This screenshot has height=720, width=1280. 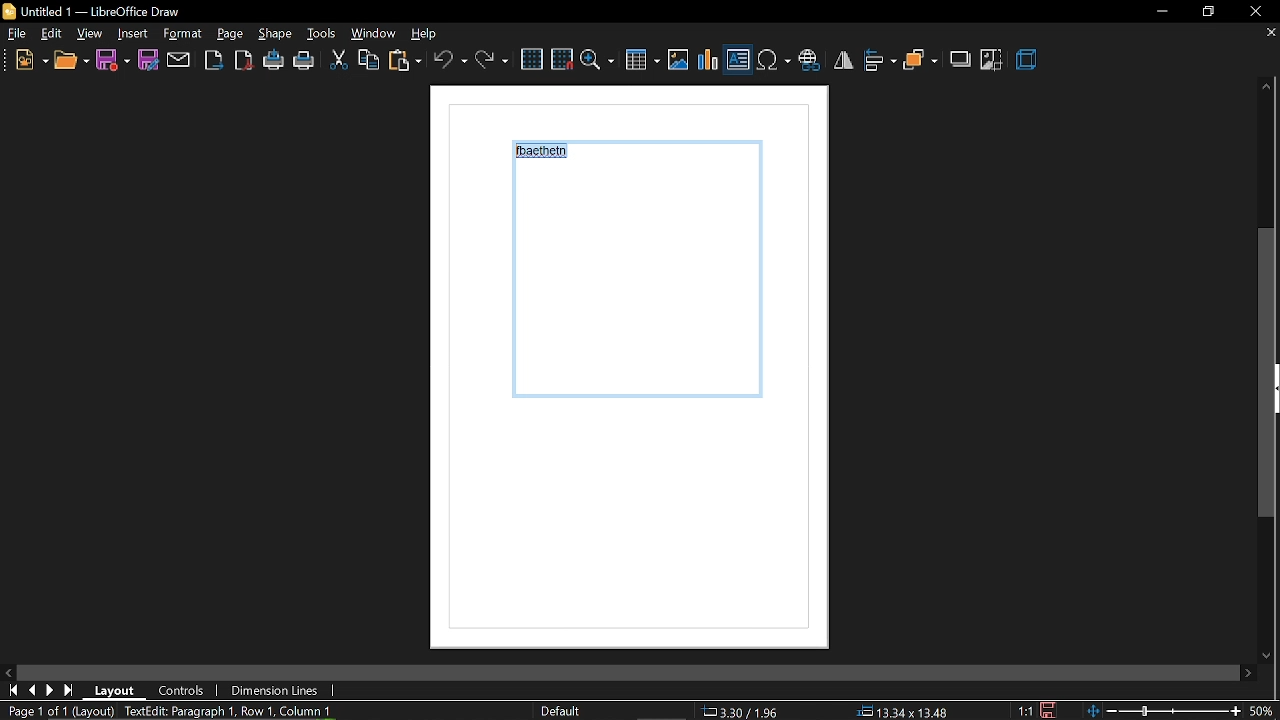 I want to click on co-ordinates (3.30/1.96), so click(x=738, y=711).